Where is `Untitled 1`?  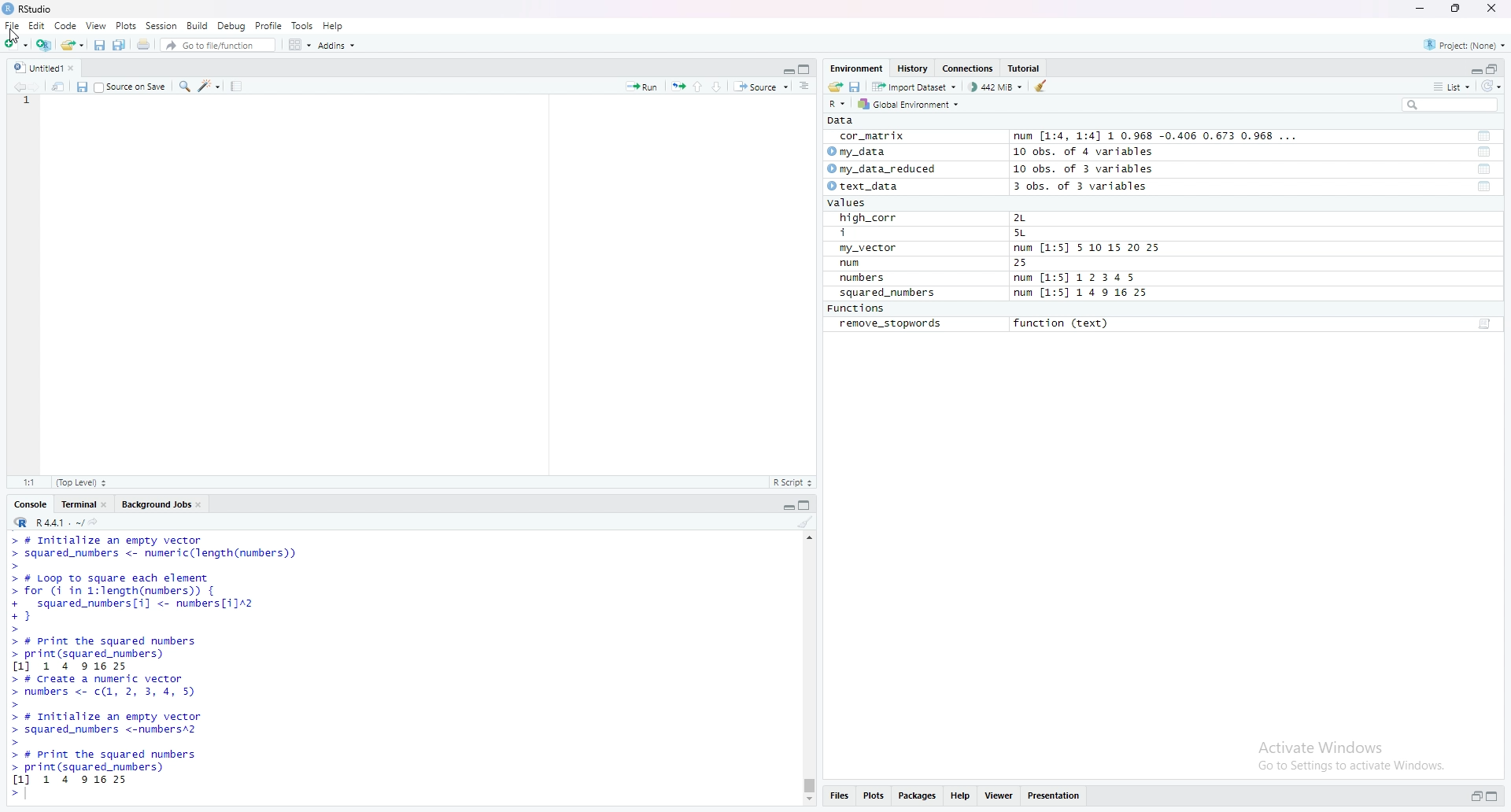 Untitled 1 is located at coordinates (33, 68).